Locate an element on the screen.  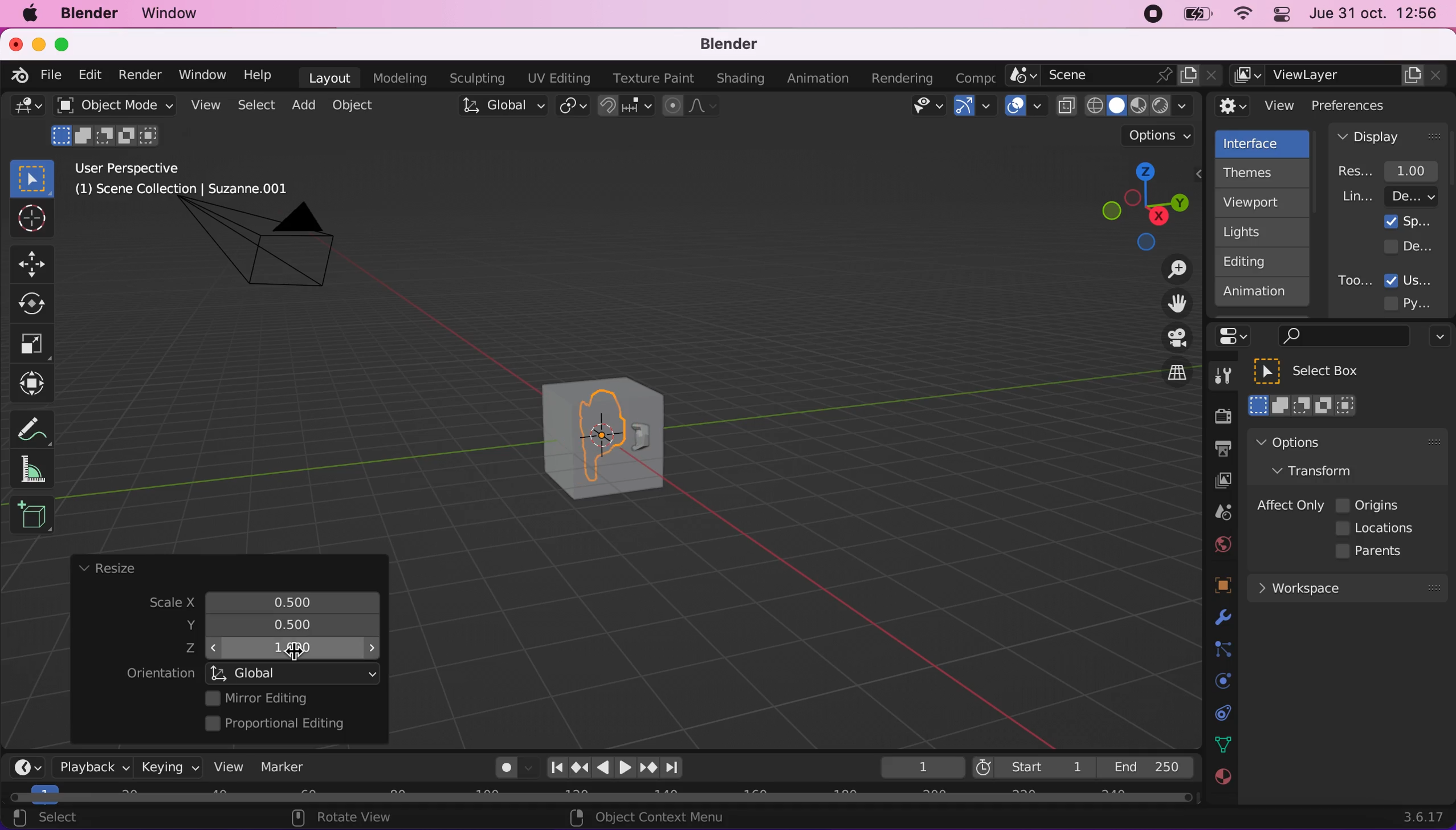
data is located at coordinates (1220, 743).